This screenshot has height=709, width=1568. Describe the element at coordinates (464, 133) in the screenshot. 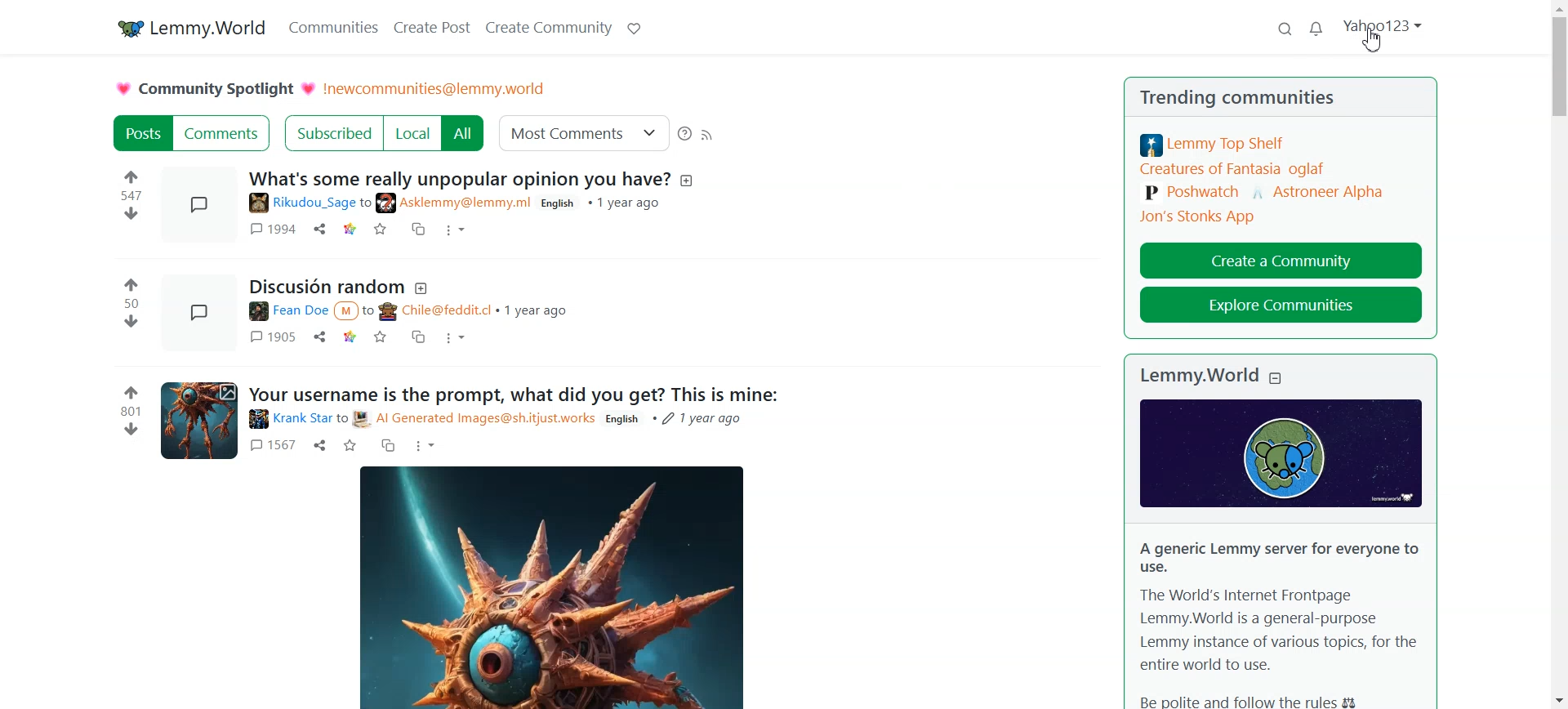

I see `All` at that location.